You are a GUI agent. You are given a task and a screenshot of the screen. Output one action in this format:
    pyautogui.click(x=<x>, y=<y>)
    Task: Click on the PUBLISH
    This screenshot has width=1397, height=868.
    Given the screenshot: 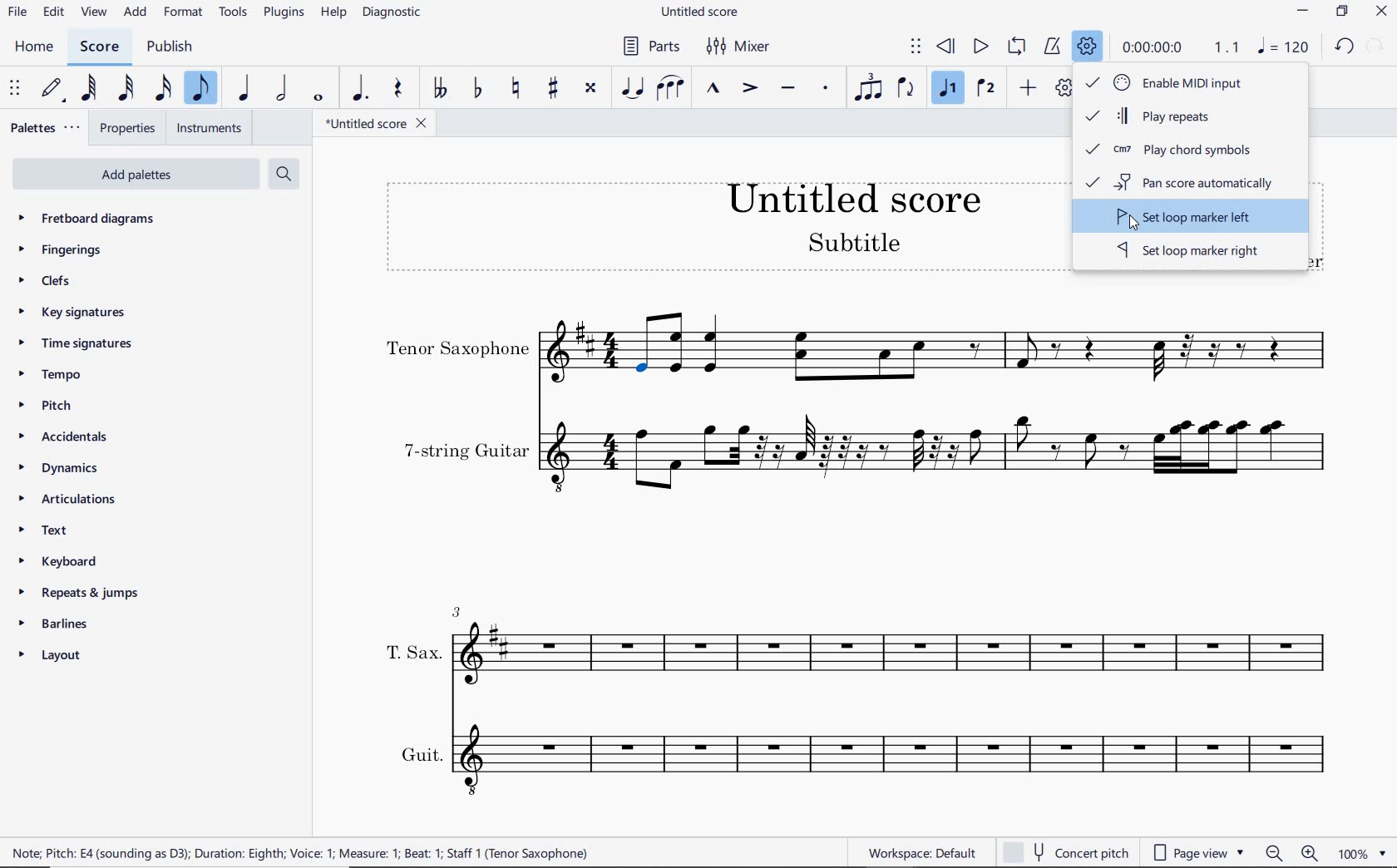 What is the action you would take?
    pyautogui.click(x=170, y=50)
    